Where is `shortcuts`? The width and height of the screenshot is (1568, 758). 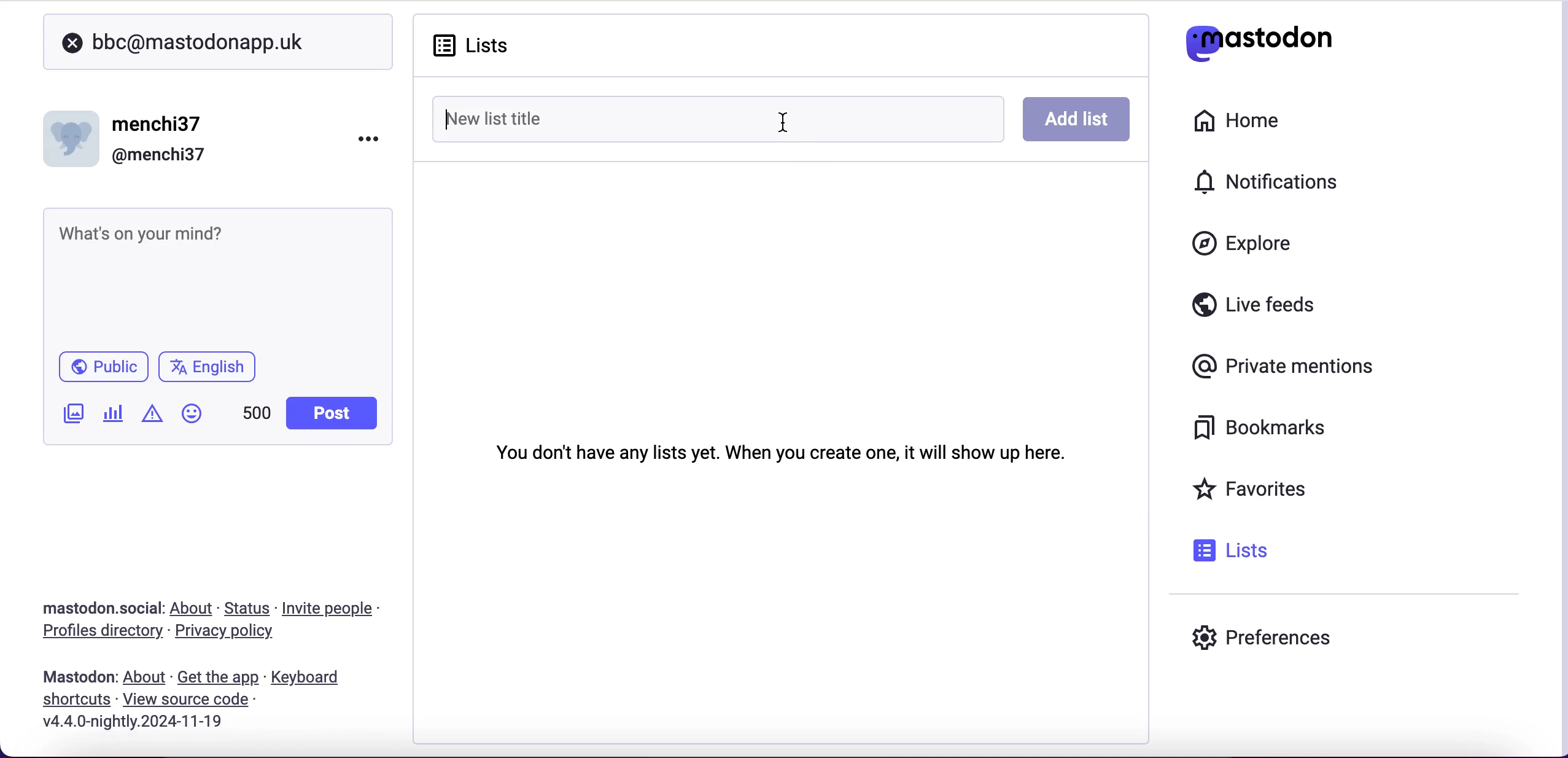
shortcuts is located at coordinates (72, 700).